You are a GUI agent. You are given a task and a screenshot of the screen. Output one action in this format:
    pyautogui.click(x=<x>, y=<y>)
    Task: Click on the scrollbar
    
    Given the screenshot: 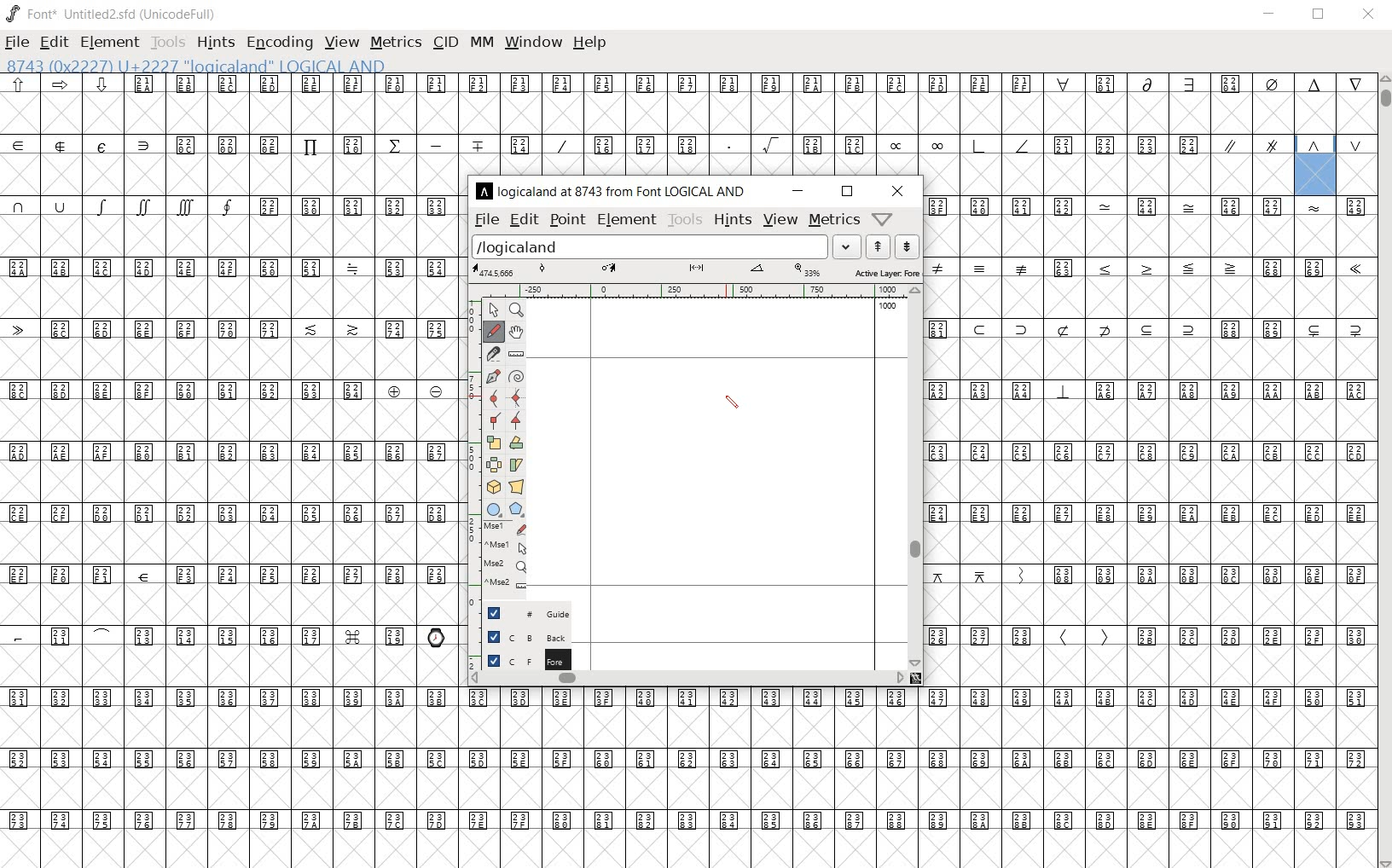 What is the action you would take?
    pyautogui.click(x=917, y=477)
    